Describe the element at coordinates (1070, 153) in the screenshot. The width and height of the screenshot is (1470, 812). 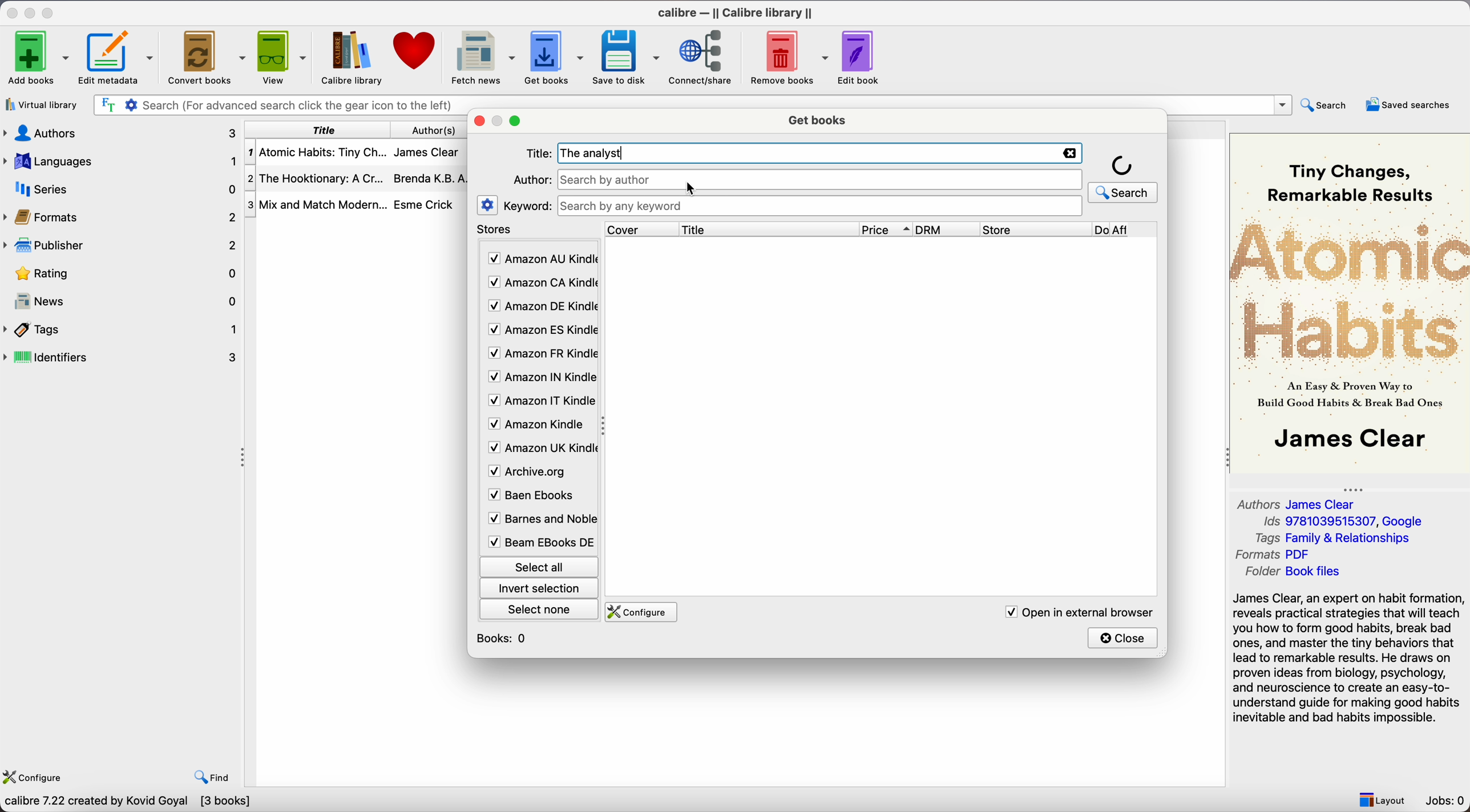
I see `clear` at that location.